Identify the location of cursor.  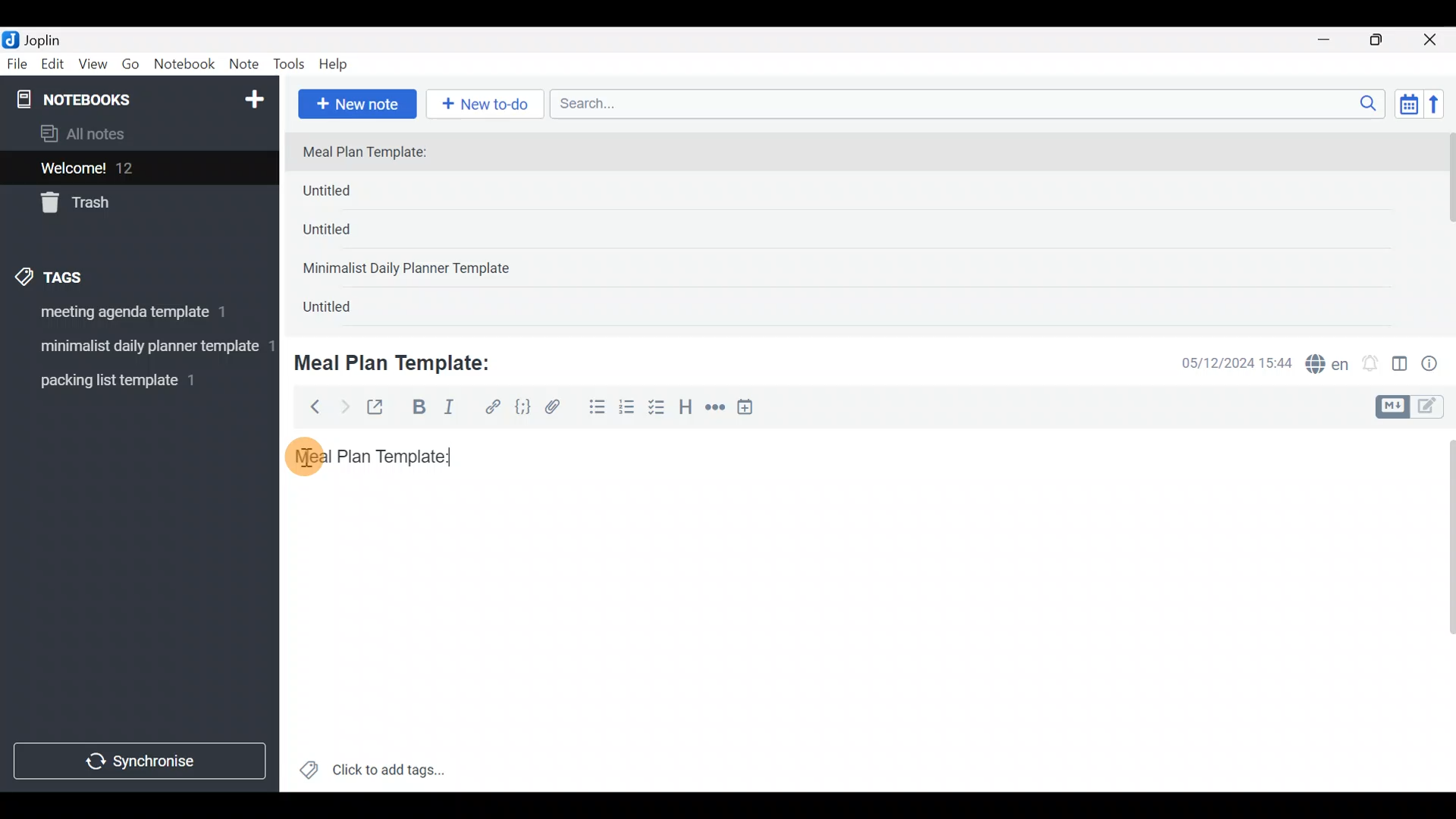
(310, 463).